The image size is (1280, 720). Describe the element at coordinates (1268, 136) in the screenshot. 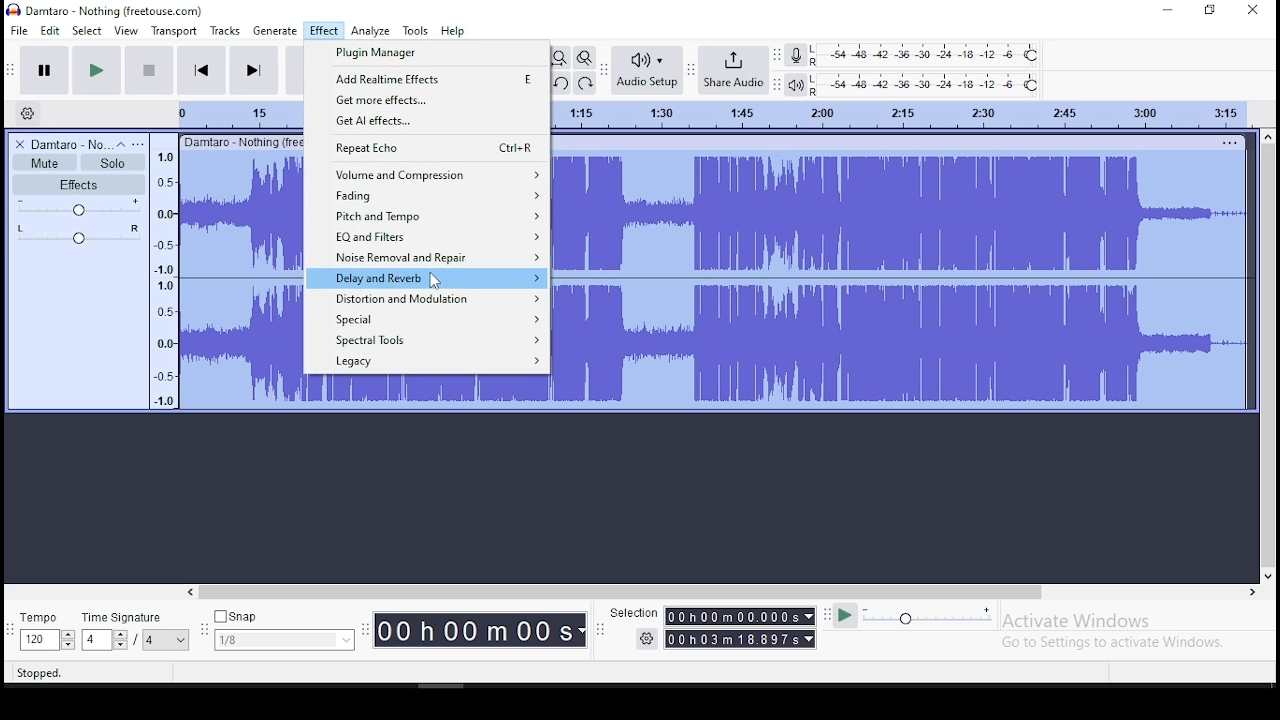

I see `up` at that location.